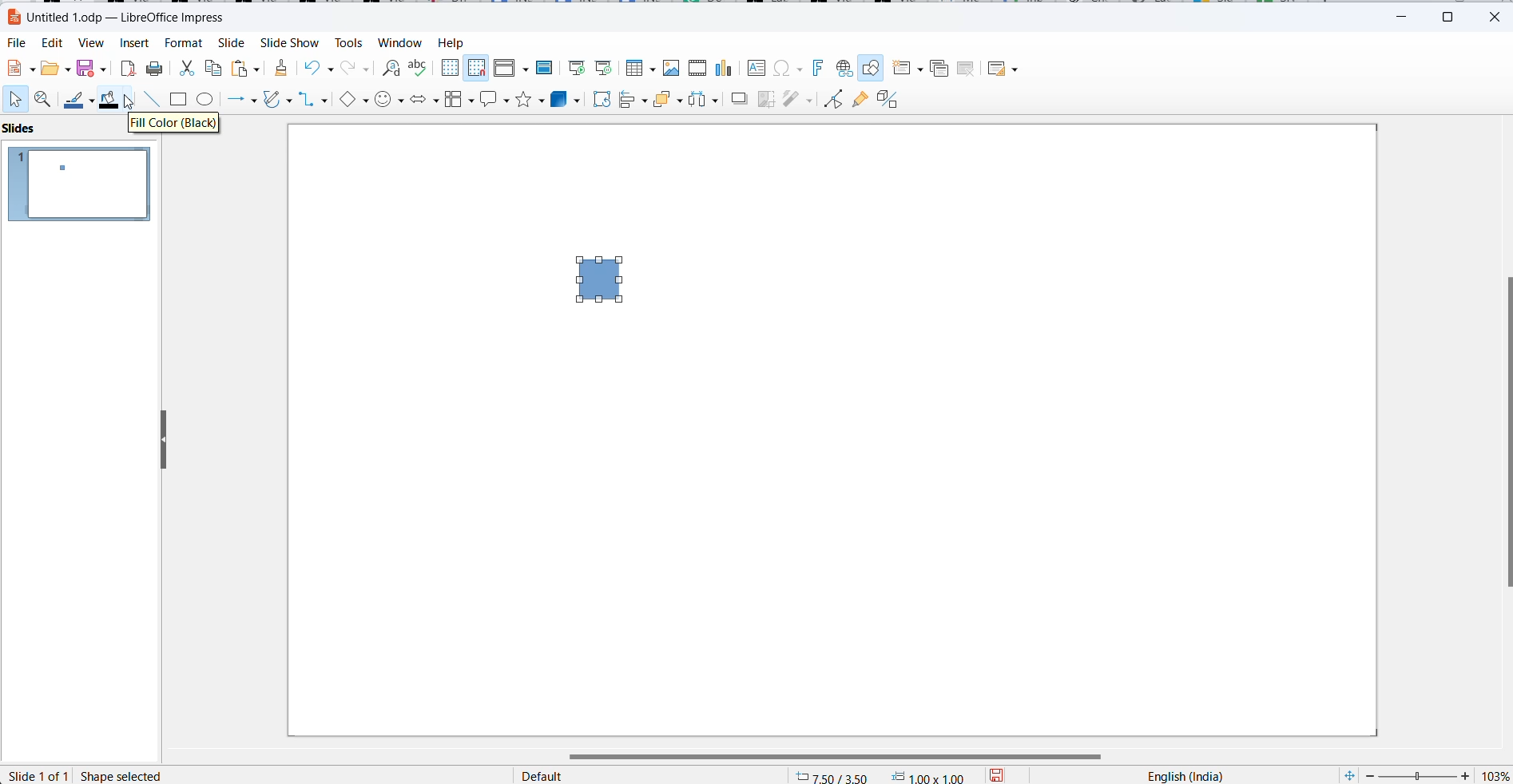  What do you see at coordinates (230, 44) in the screenshot?
I see `Slide` at bounding box center [230, 44].